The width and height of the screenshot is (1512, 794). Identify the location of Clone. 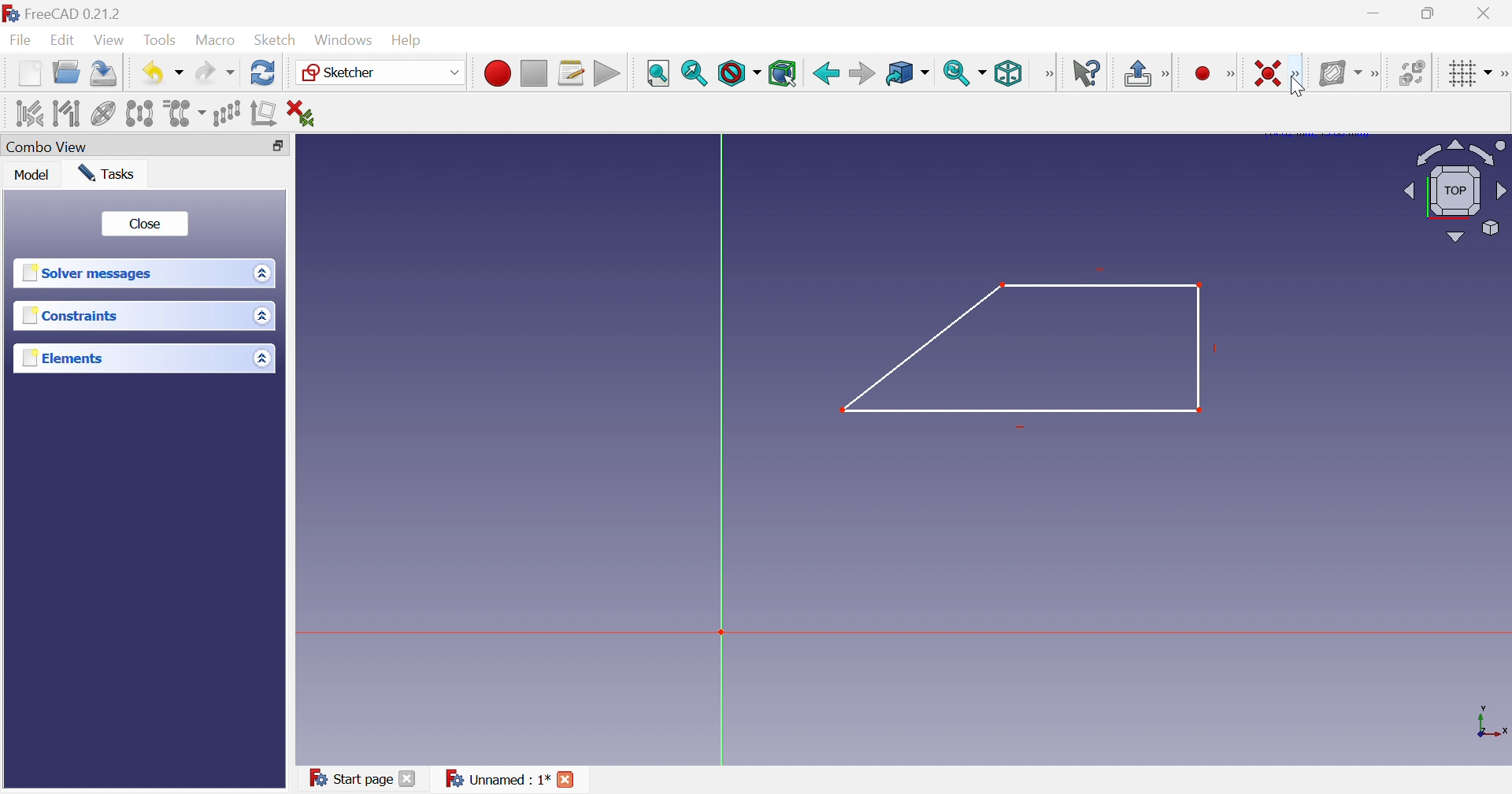
(186, 114).